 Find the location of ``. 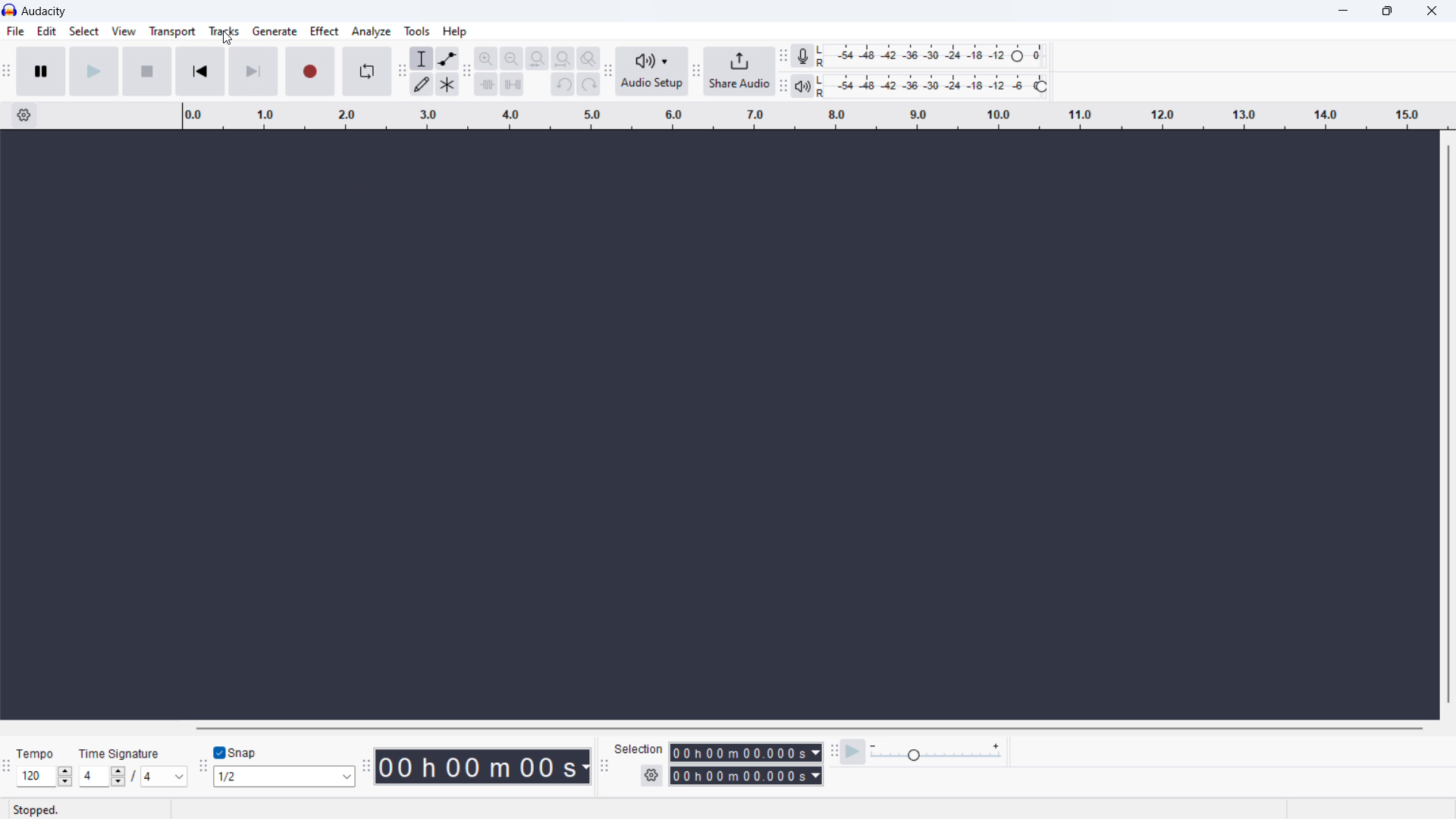

 is located at coordinates (833, 750).